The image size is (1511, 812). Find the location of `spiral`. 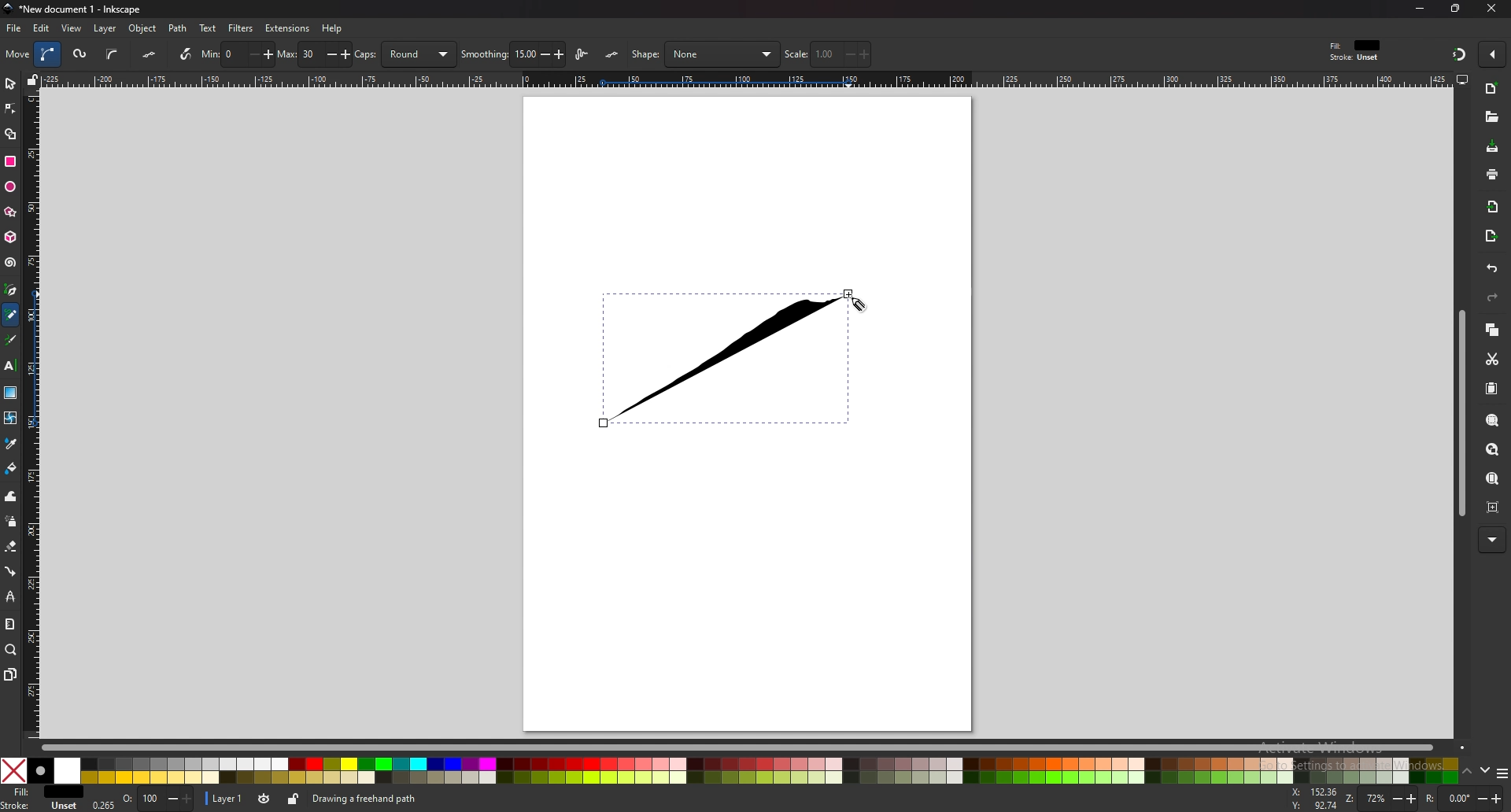

spiral is located at coordinates (10, 262).